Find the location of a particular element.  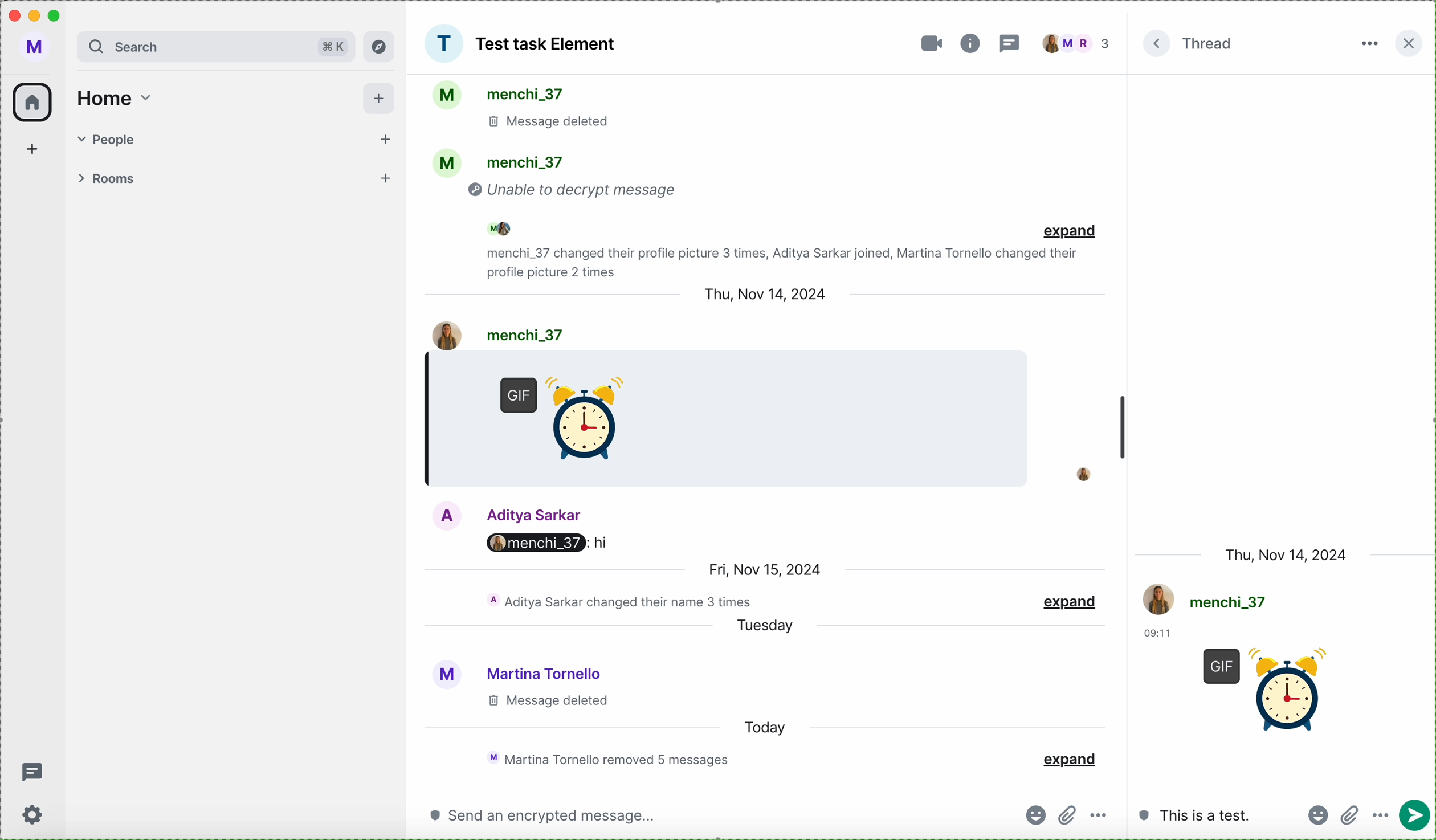

send message is located at coordinates (1419, 816).